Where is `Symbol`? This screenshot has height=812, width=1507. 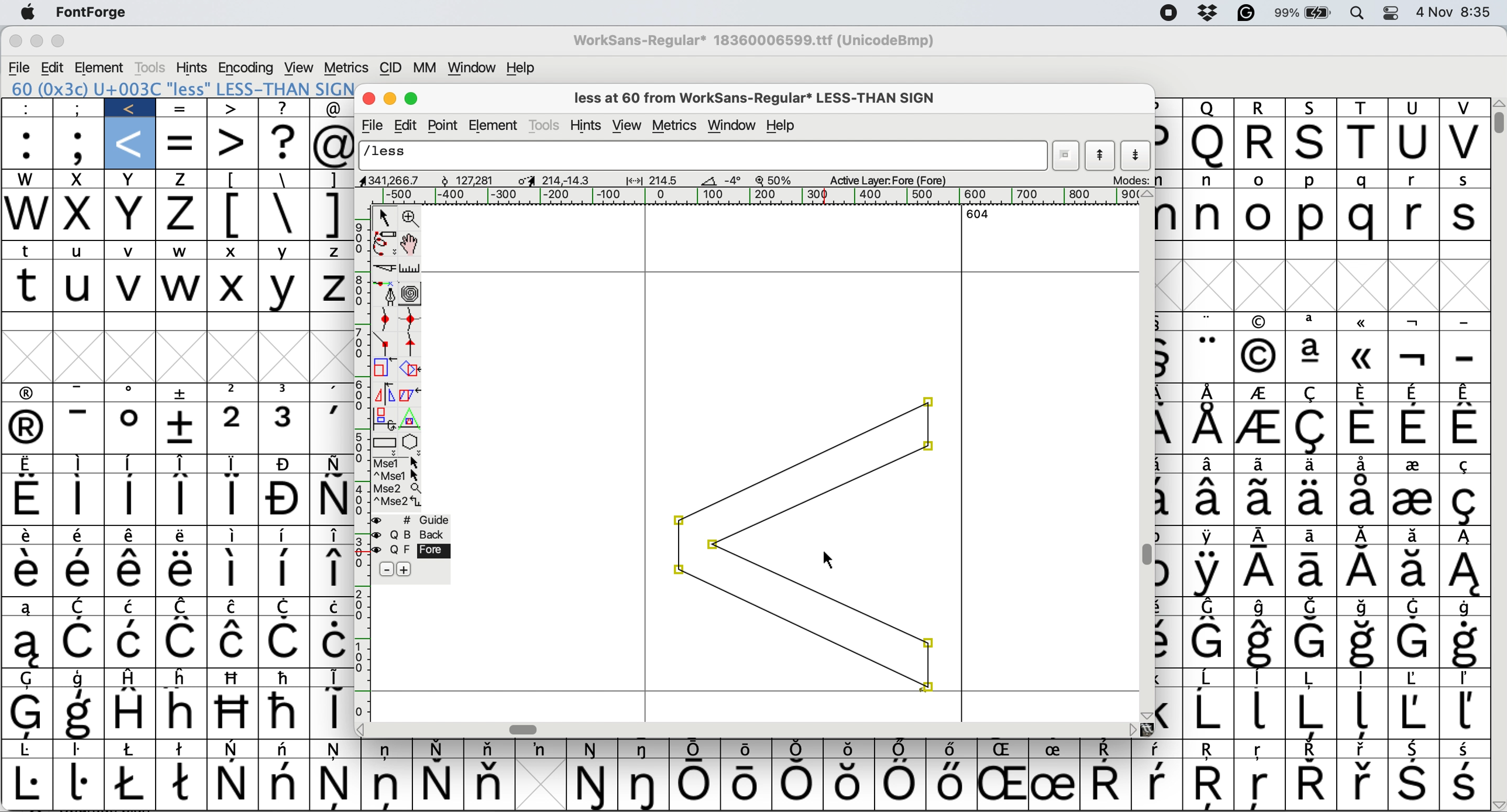 Symbol is located at coordinates (1312, 785).